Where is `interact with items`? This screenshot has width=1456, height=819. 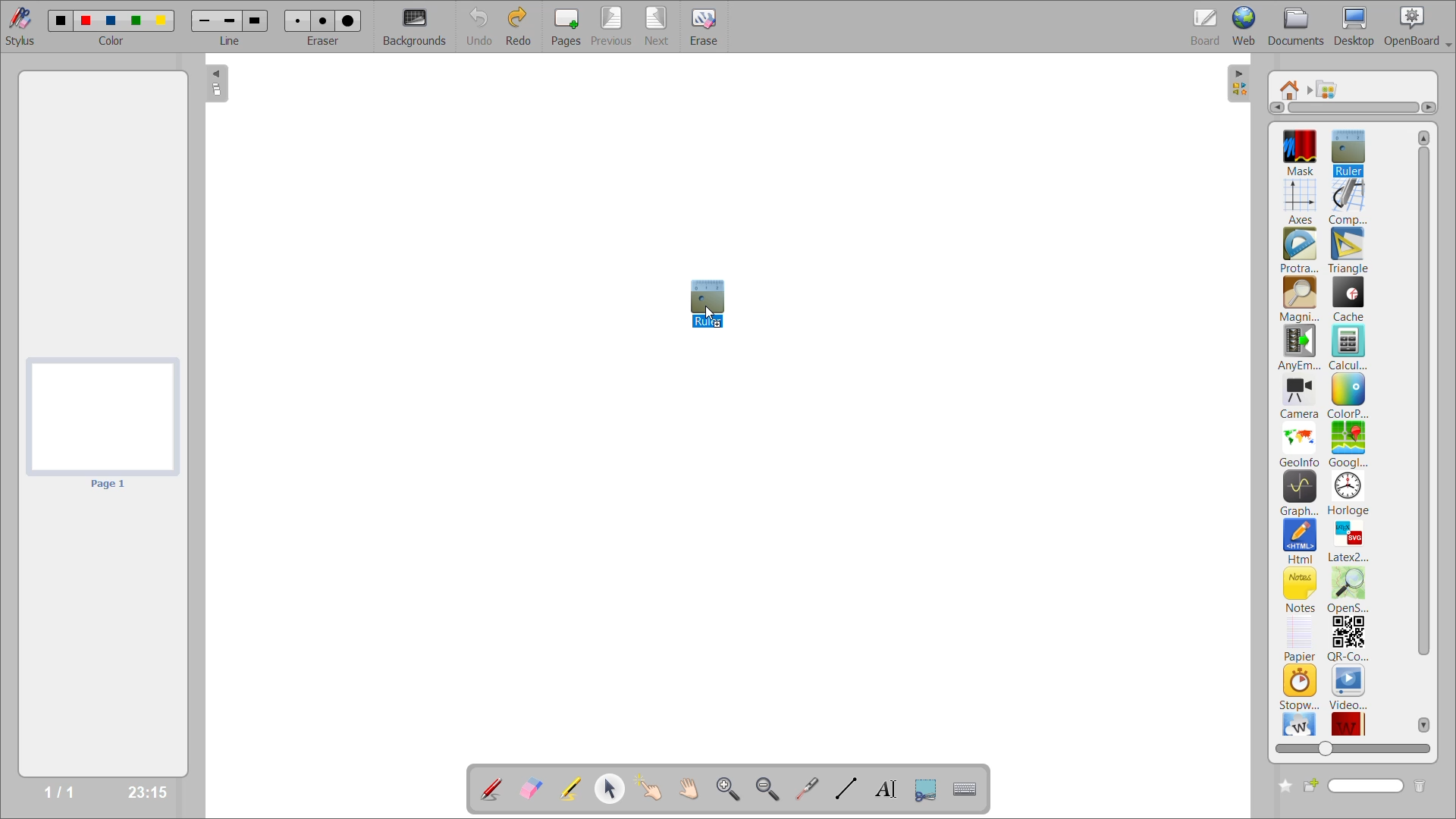
interact with items is located at coordinates (653, 789).